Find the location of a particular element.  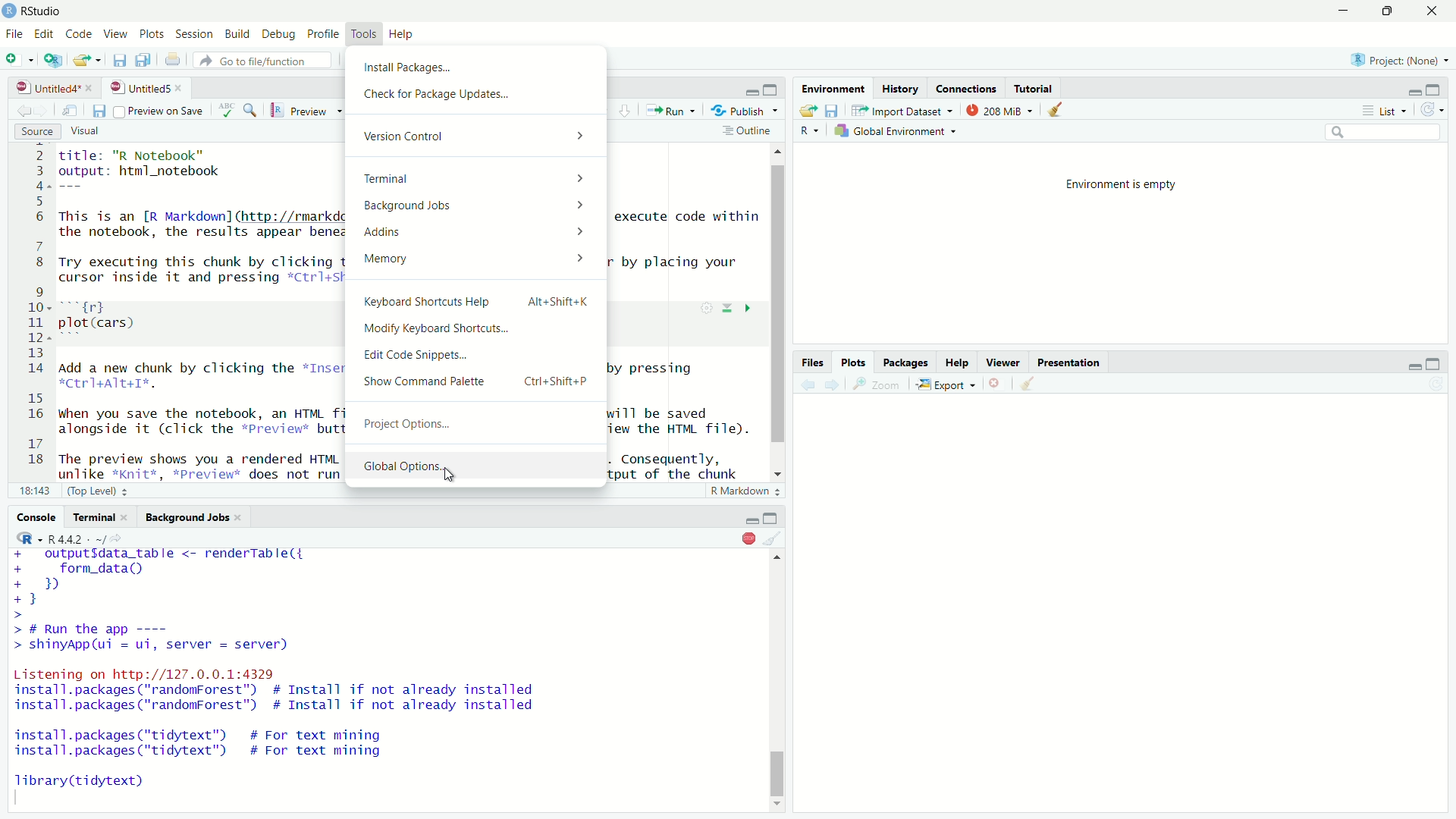

maximize is located at coordinates (1433, 365).